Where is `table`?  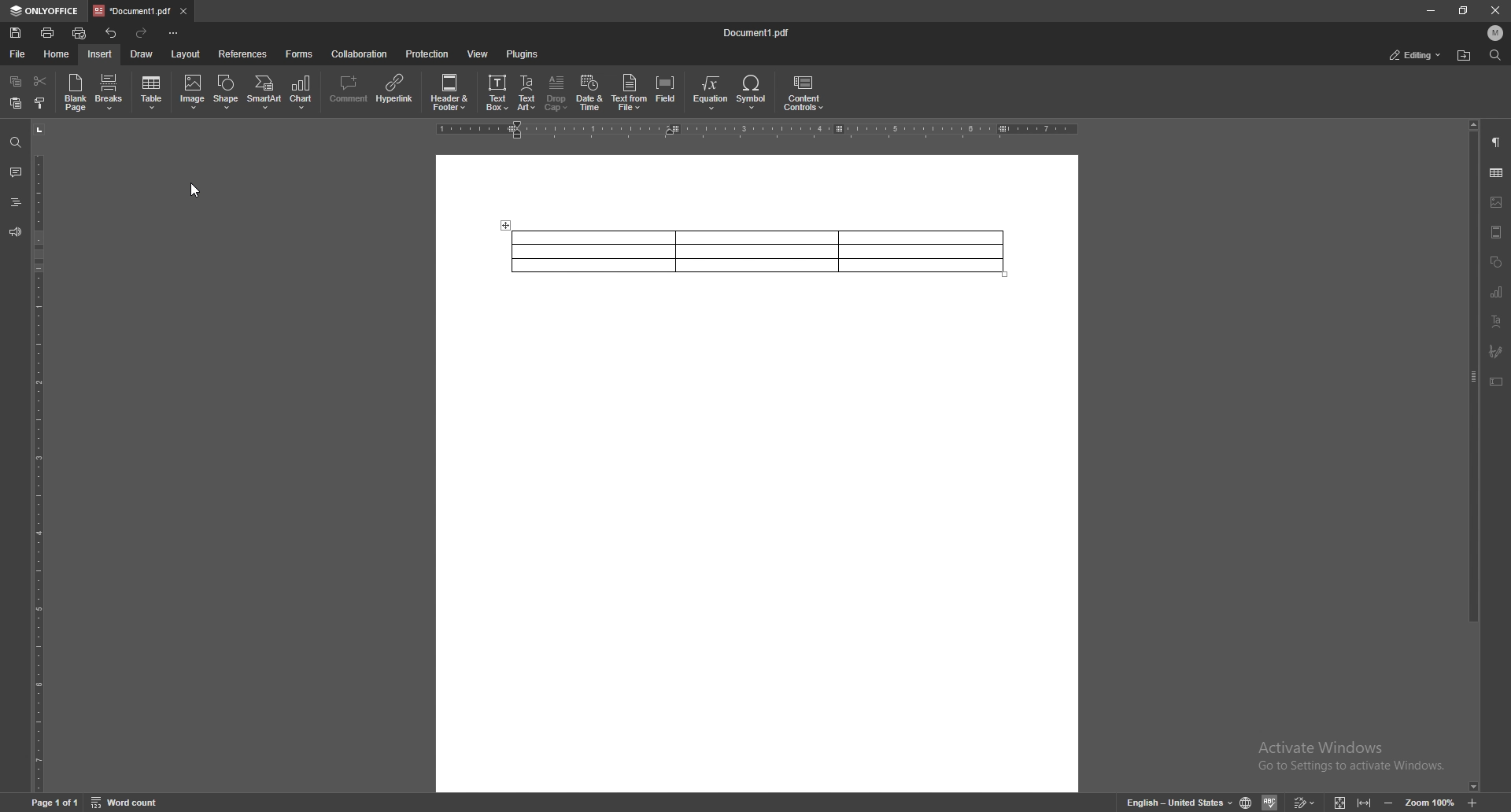 table is located at coordinates (153, 91).